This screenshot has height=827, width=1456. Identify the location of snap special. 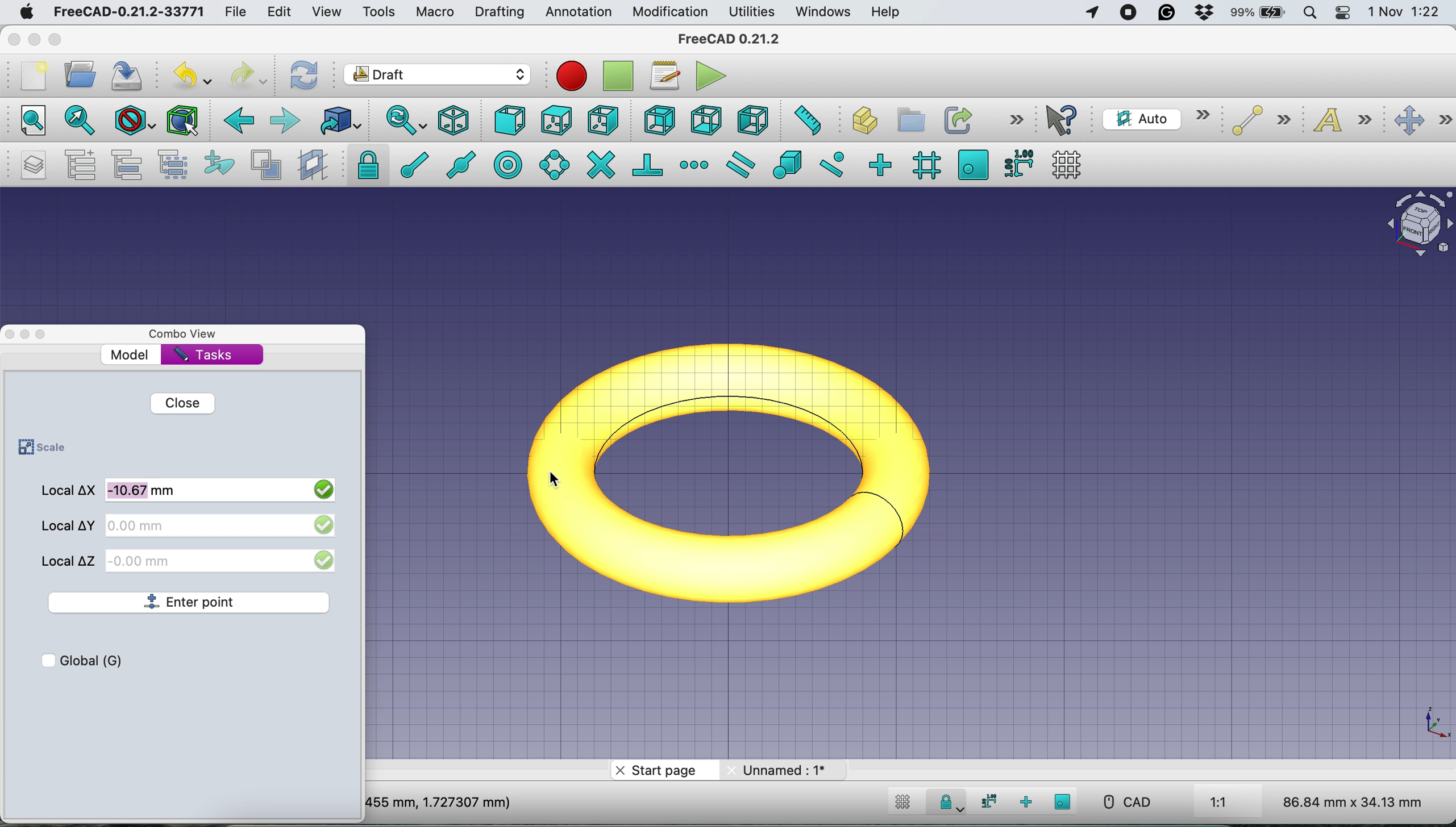
(788, 165).